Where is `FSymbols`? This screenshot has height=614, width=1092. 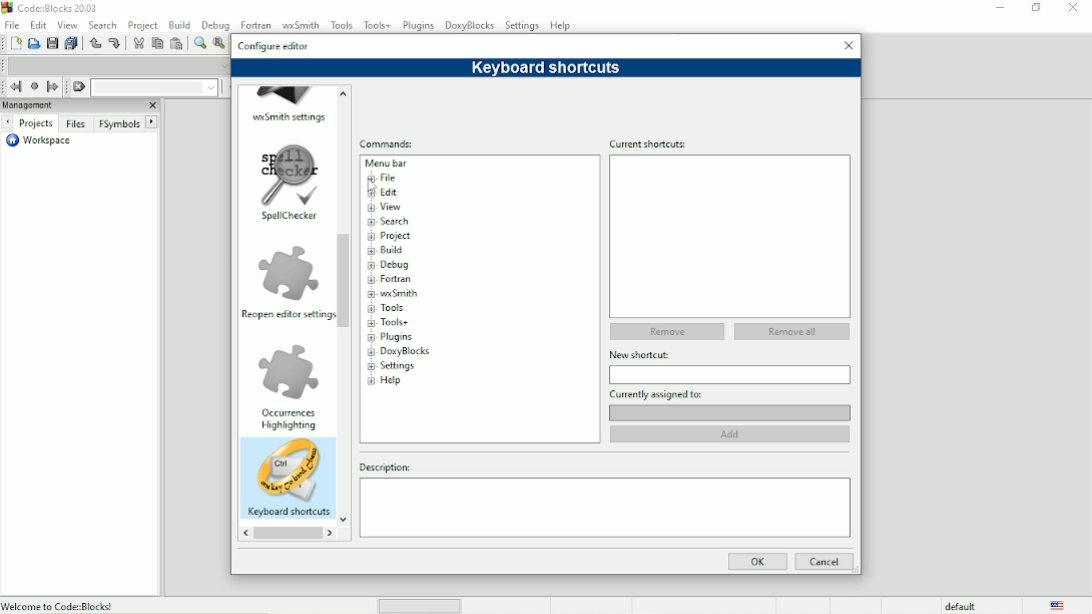
FSymbols is located at coordinates (119, 124).